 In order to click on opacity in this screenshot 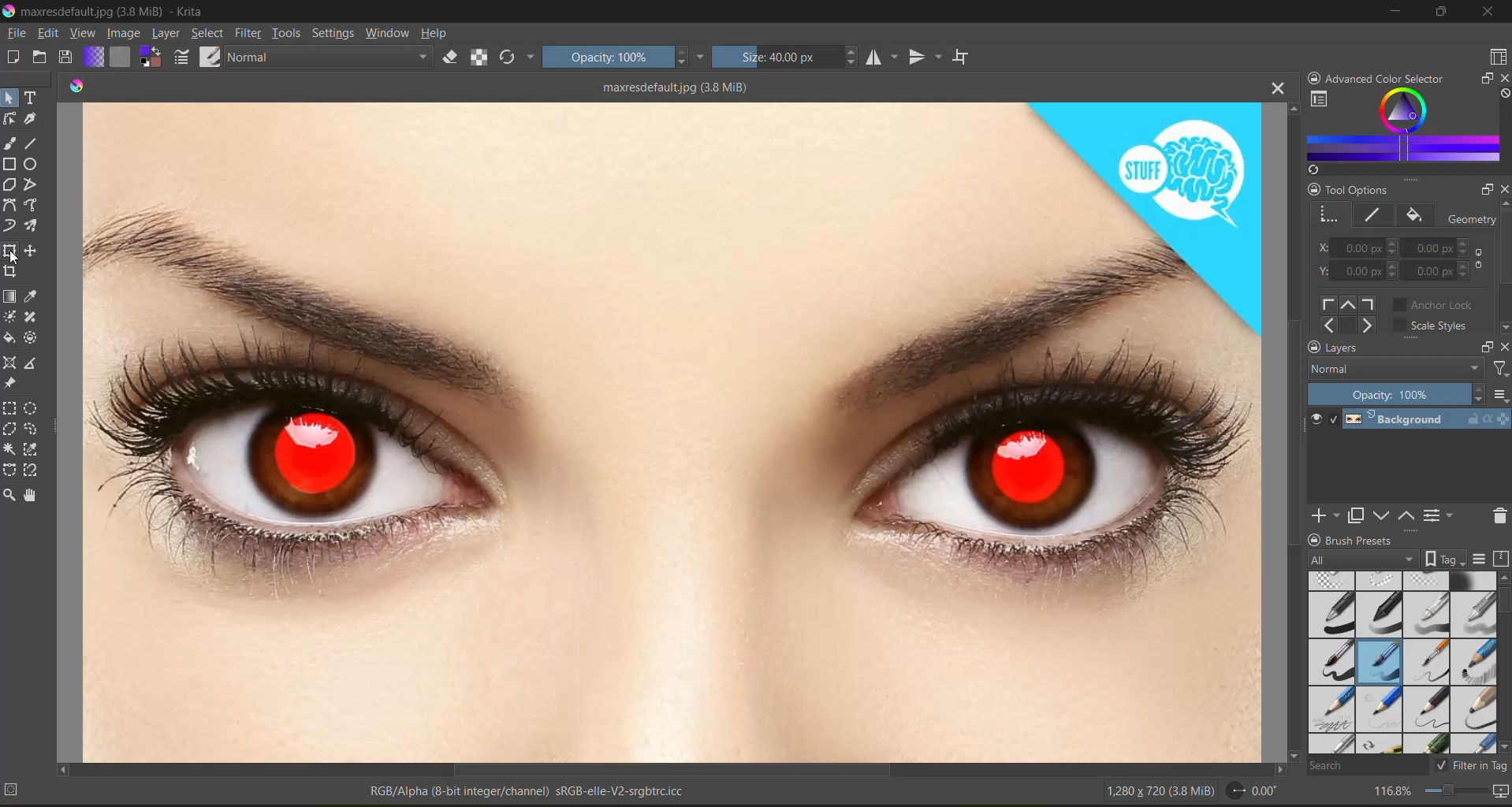, I will do `click(622, 59)`.